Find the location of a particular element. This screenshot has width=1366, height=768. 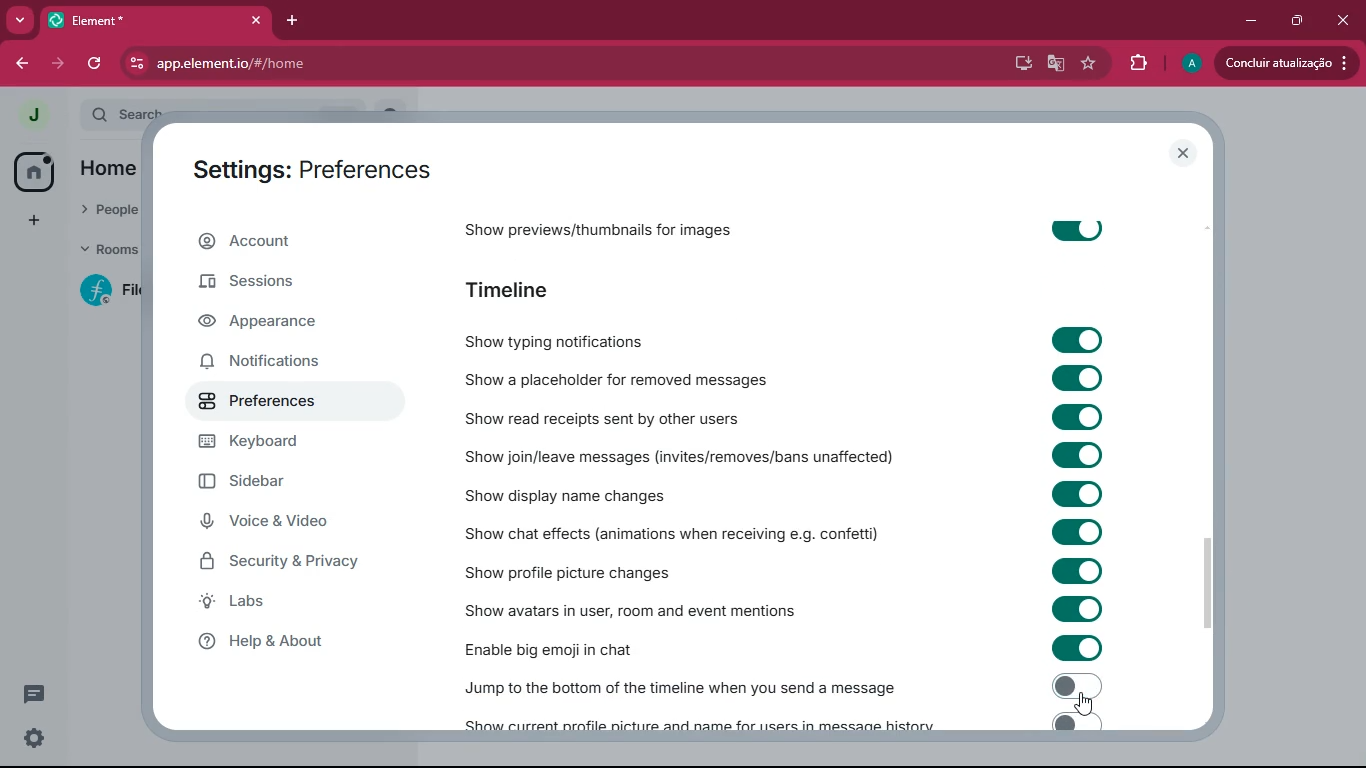

minimize is located at coordinates (1252, 18).